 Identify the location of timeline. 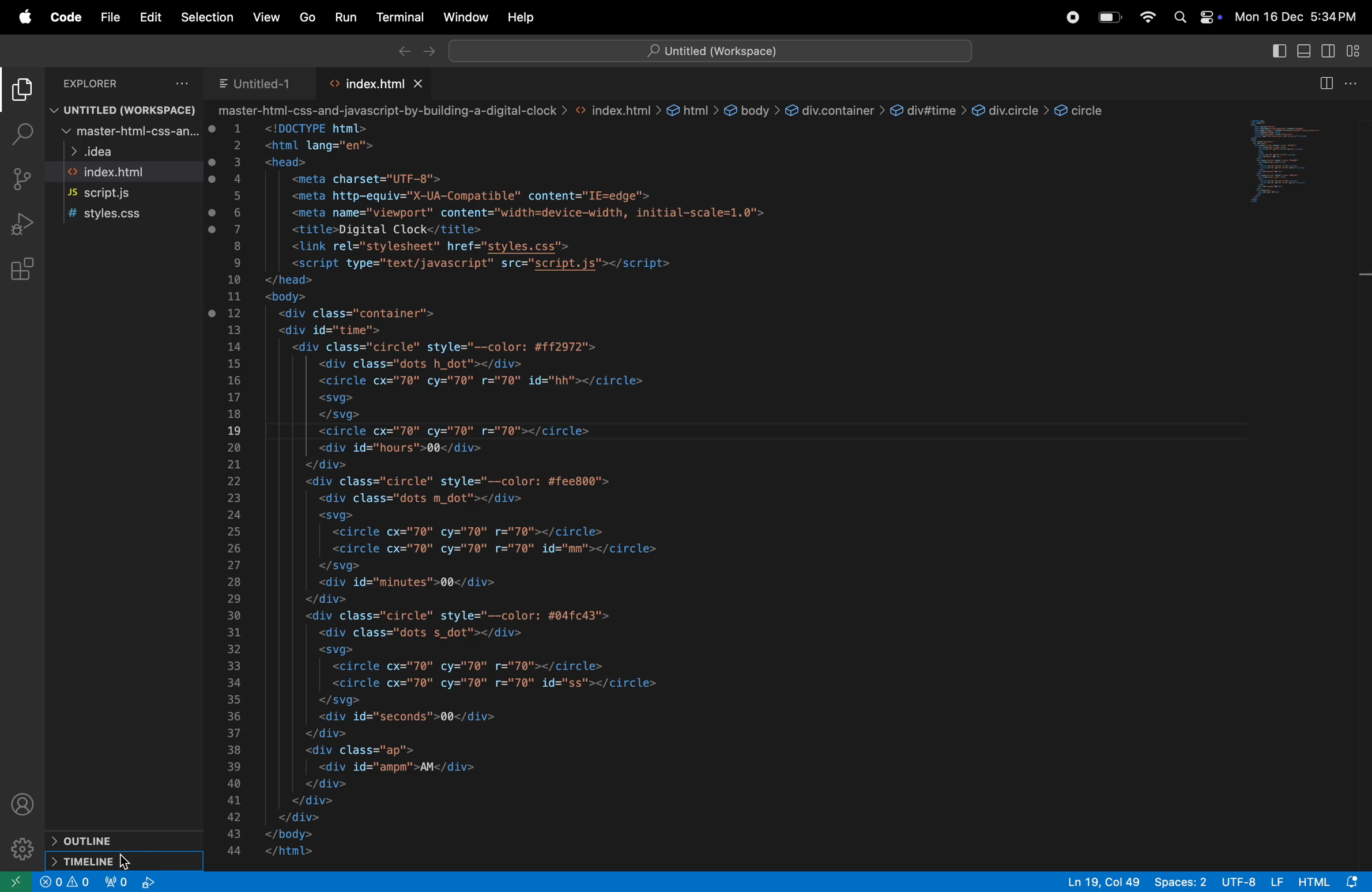
(92, 861).